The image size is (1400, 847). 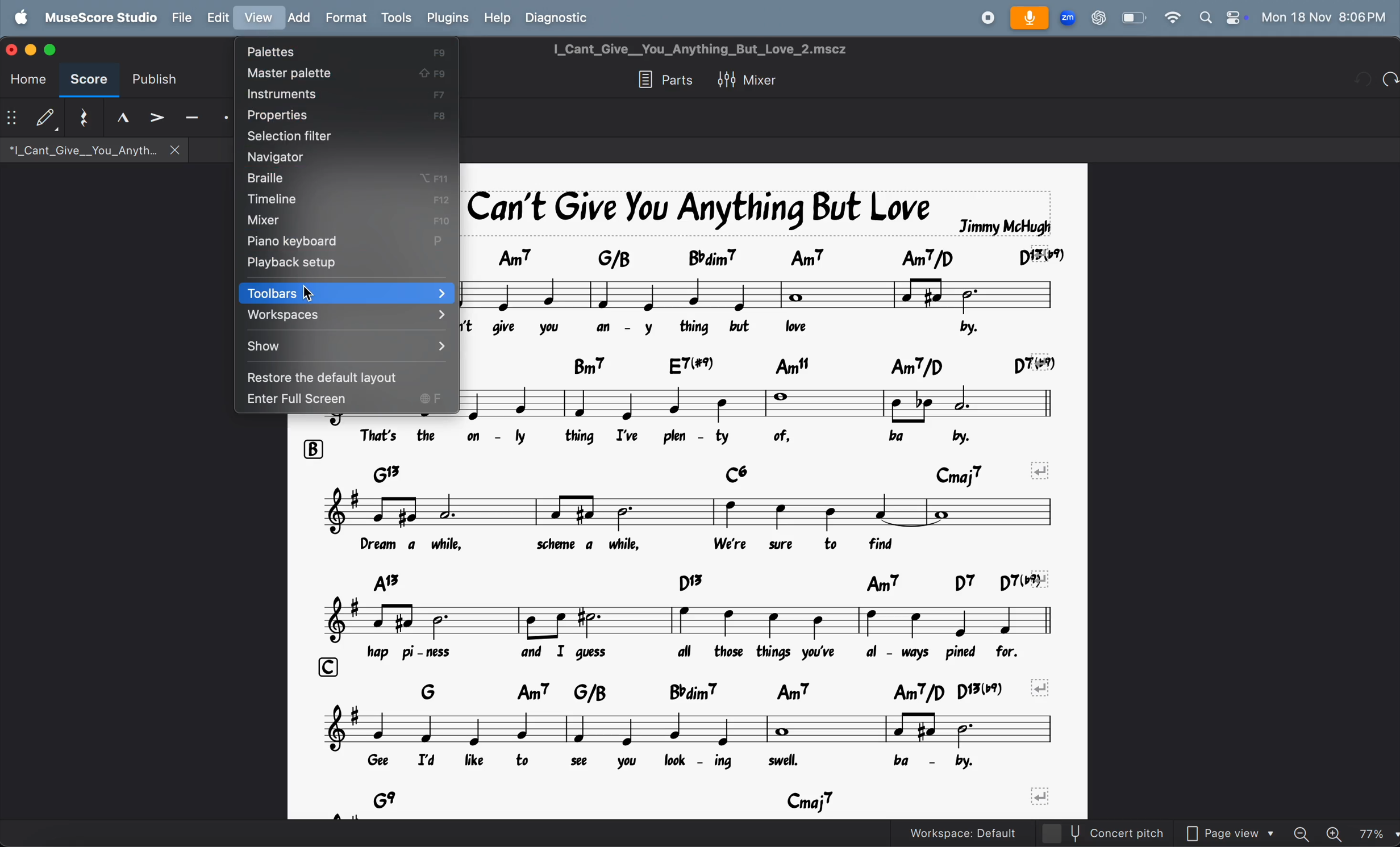 I want to click on mixer, so click(x=348, y=222).